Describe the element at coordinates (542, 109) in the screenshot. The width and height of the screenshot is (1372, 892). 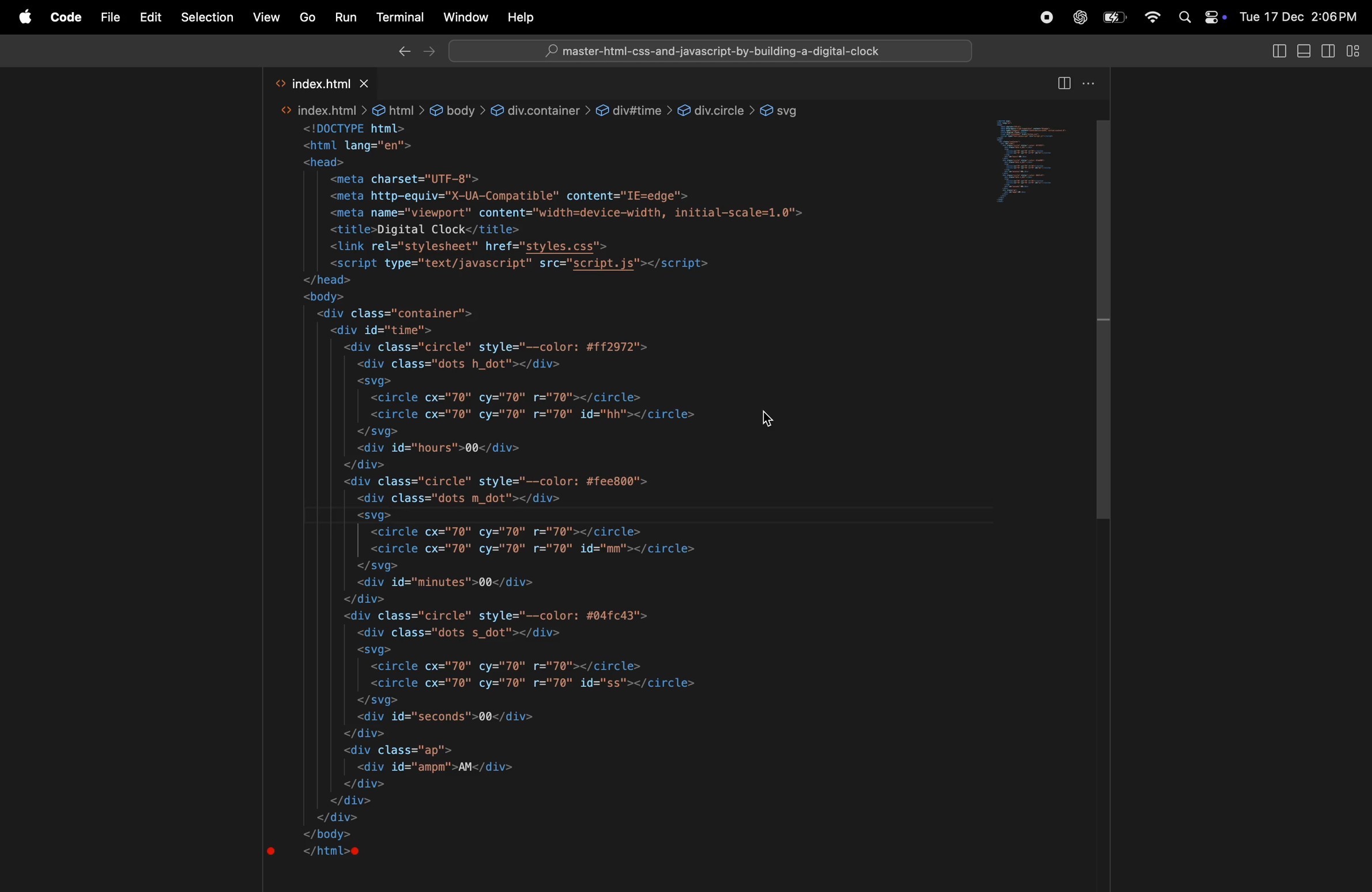
I see `<> index.html > @ html > & body > & div.container > &@ divitime > @ div.circle > & svg` at that location.